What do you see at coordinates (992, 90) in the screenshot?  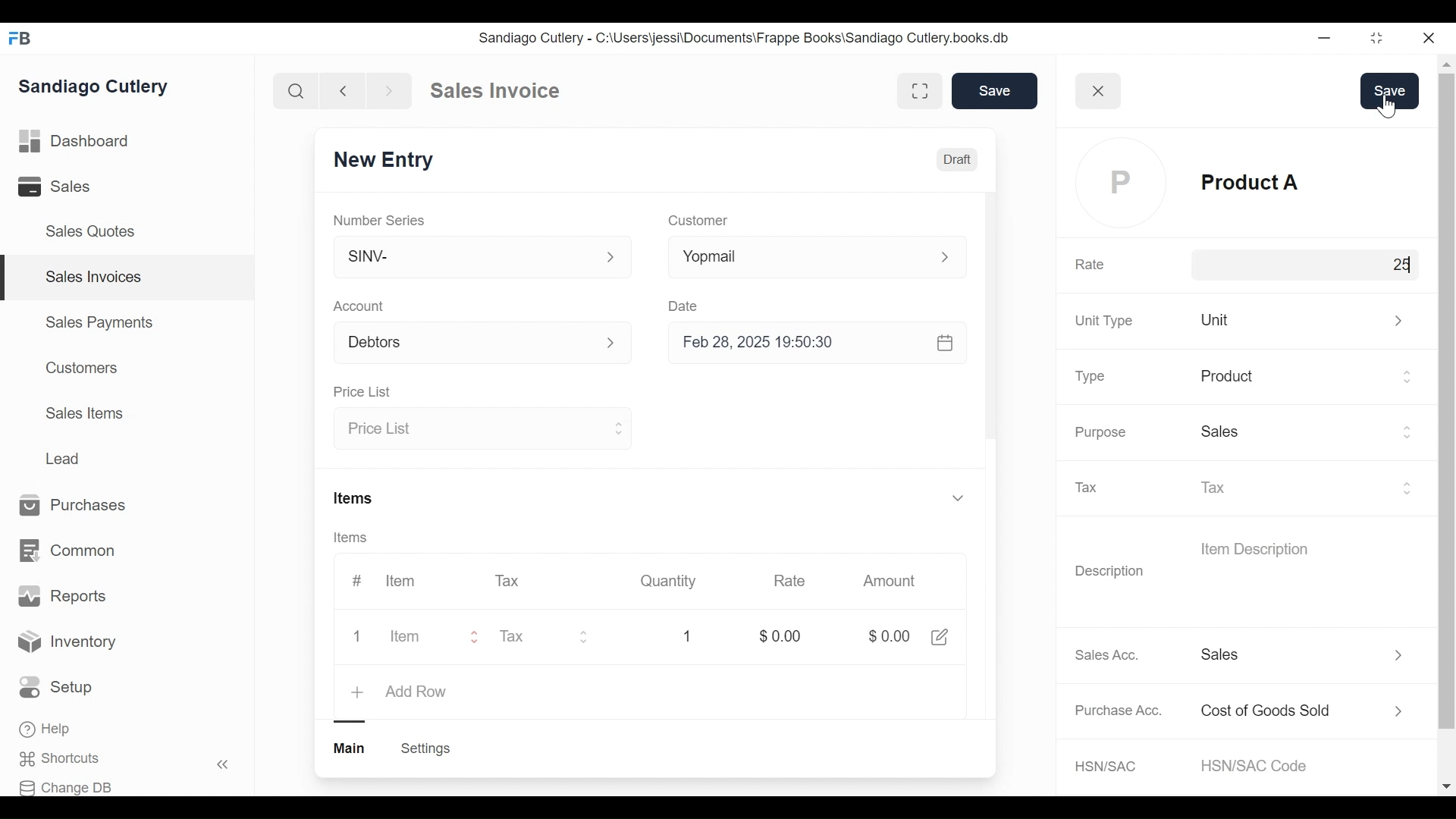 I see `Save ` at bounding box center [992, 90].